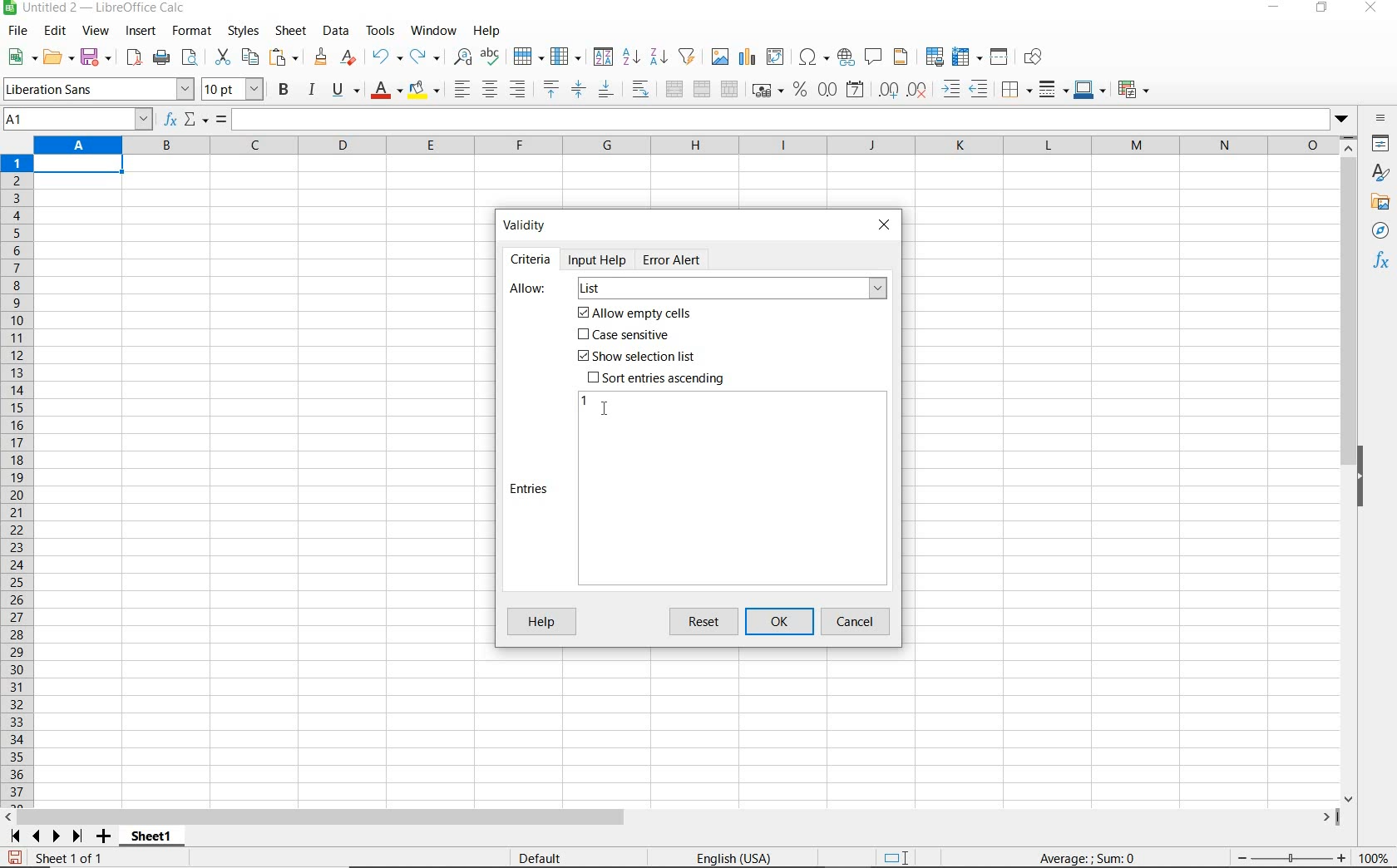 Image resolution: width=1397 pixels, height=868 pixels. What do you see at coordinates (161, 57) in the screenshot?
I see `print` at bounding box center [161, 57].